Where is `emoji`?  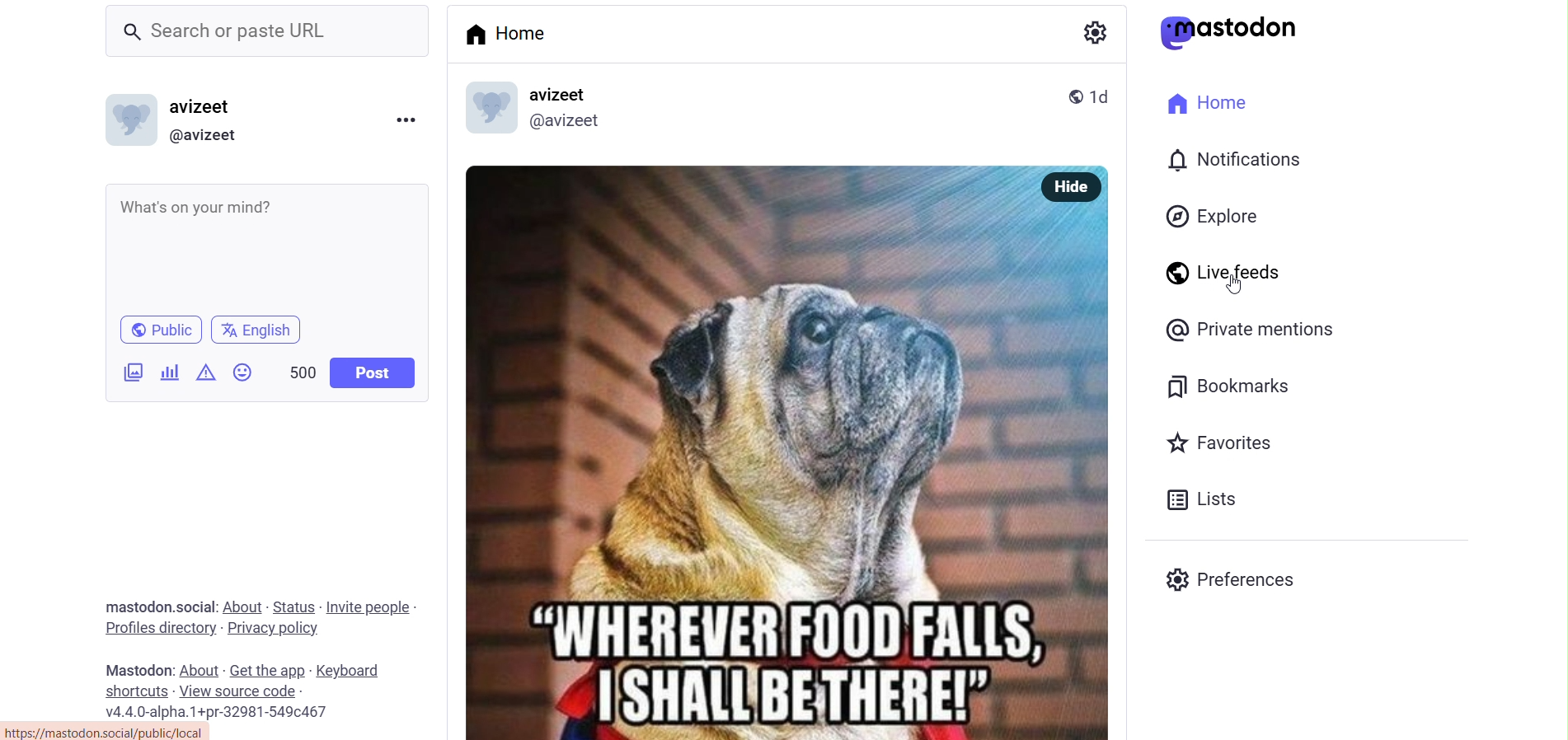 emoji is located at coordinates (242, 373).